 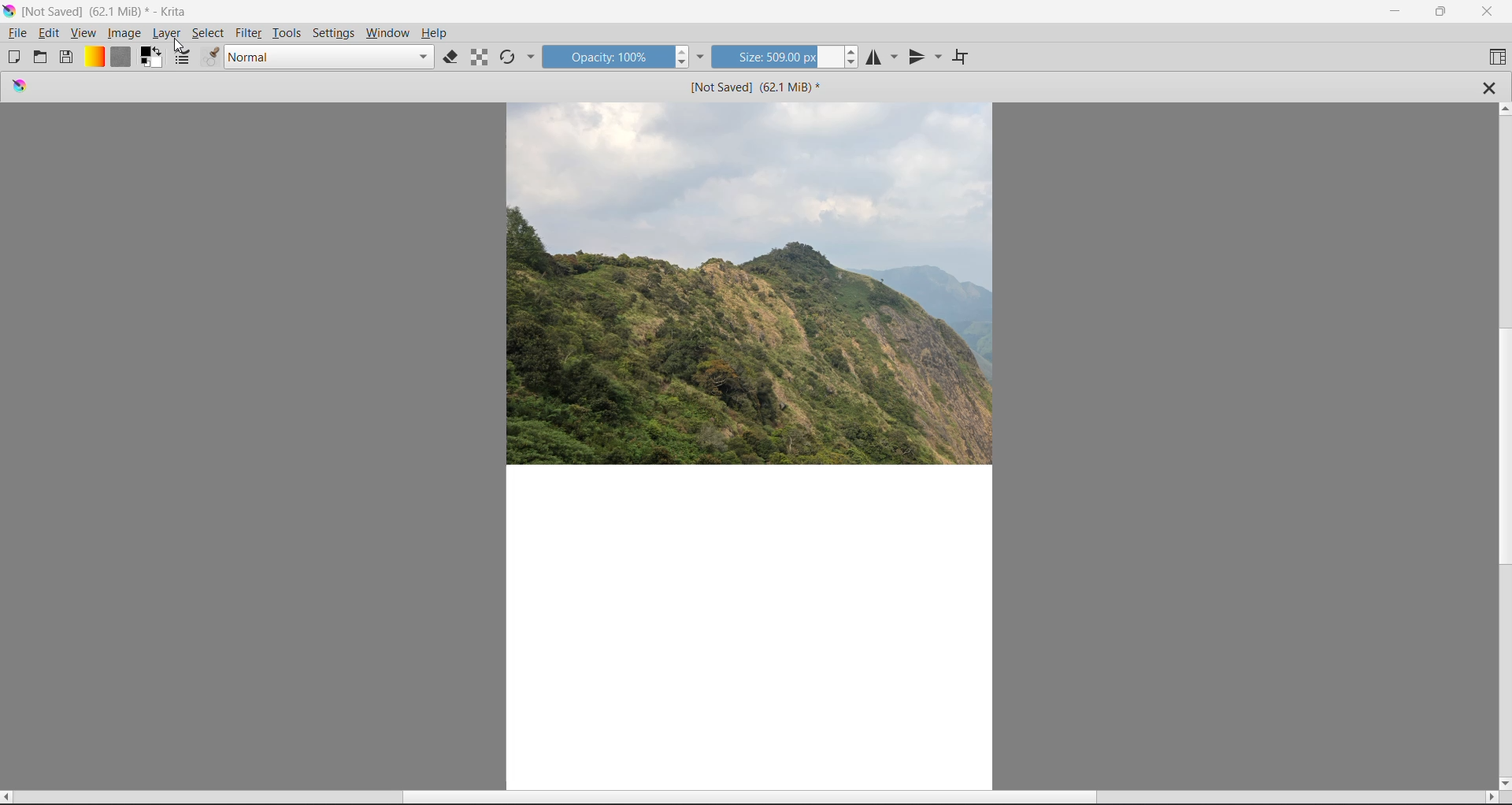 What do you see at coordinates (1440, 12) in the screenshot?
I see `Restore Down` at bounding box center [1440, 12].